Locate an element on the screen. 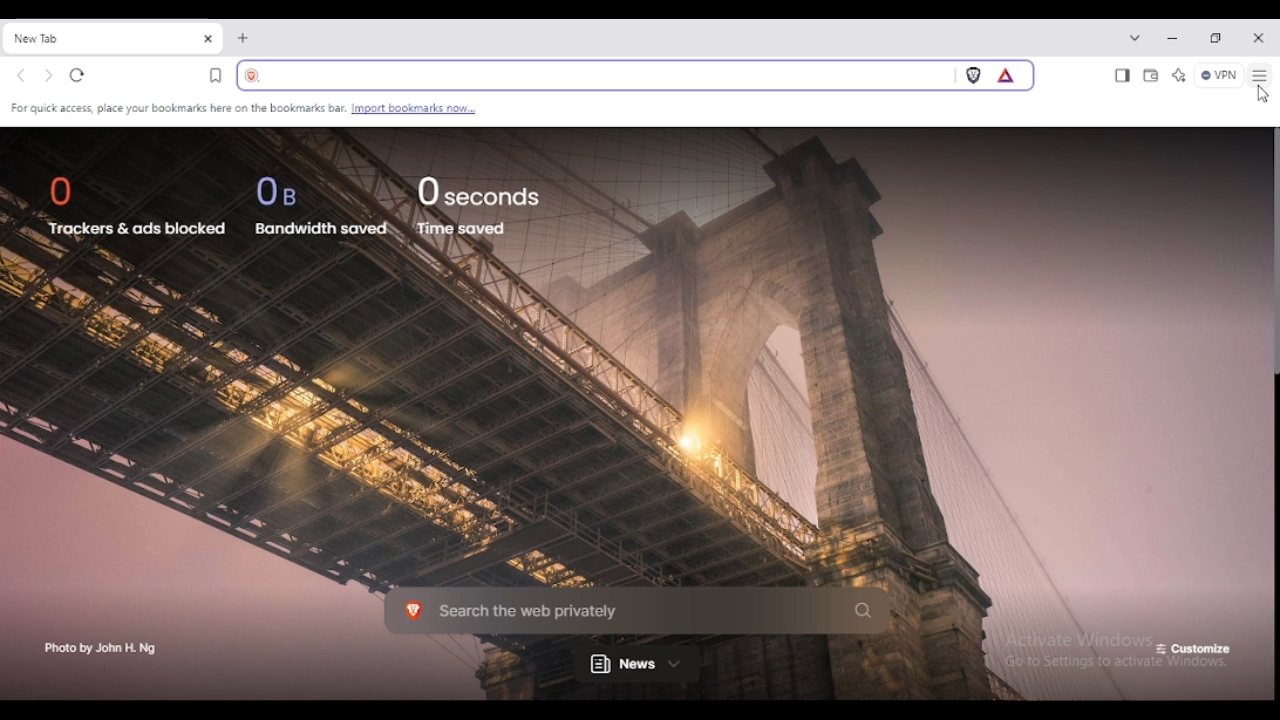  leo AI is located at coordinates (1178, 77).